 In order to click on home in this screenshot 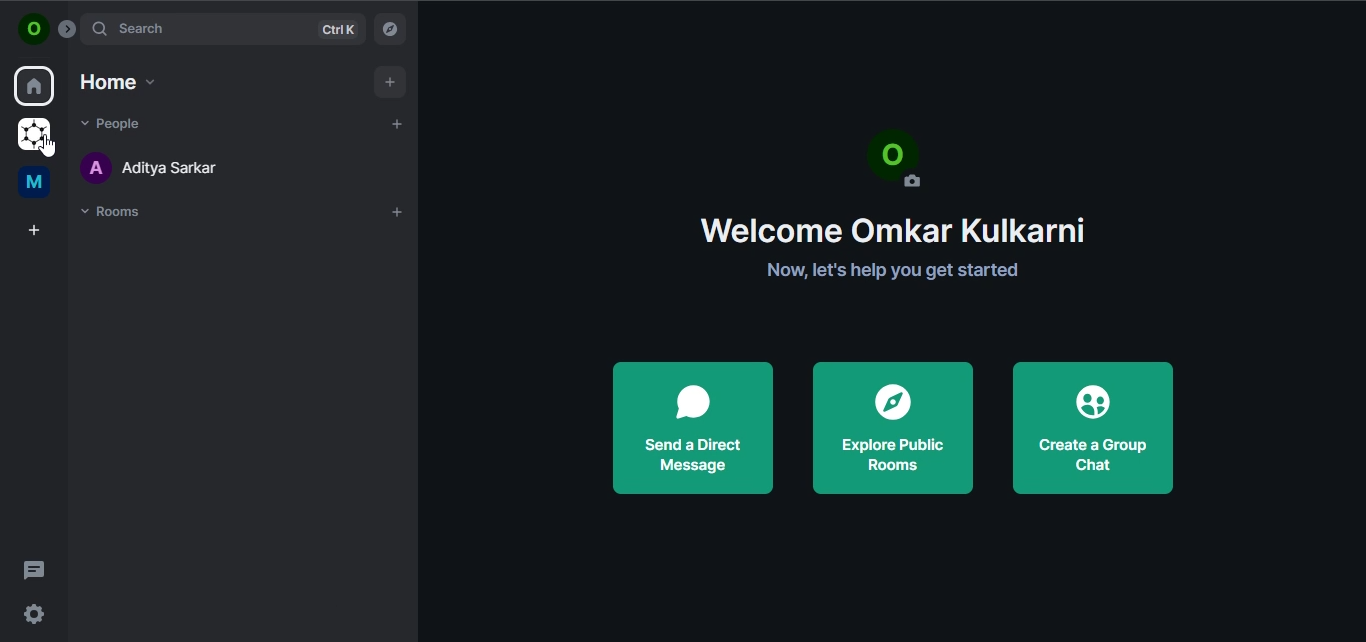, I will do `click(33, 83)`.